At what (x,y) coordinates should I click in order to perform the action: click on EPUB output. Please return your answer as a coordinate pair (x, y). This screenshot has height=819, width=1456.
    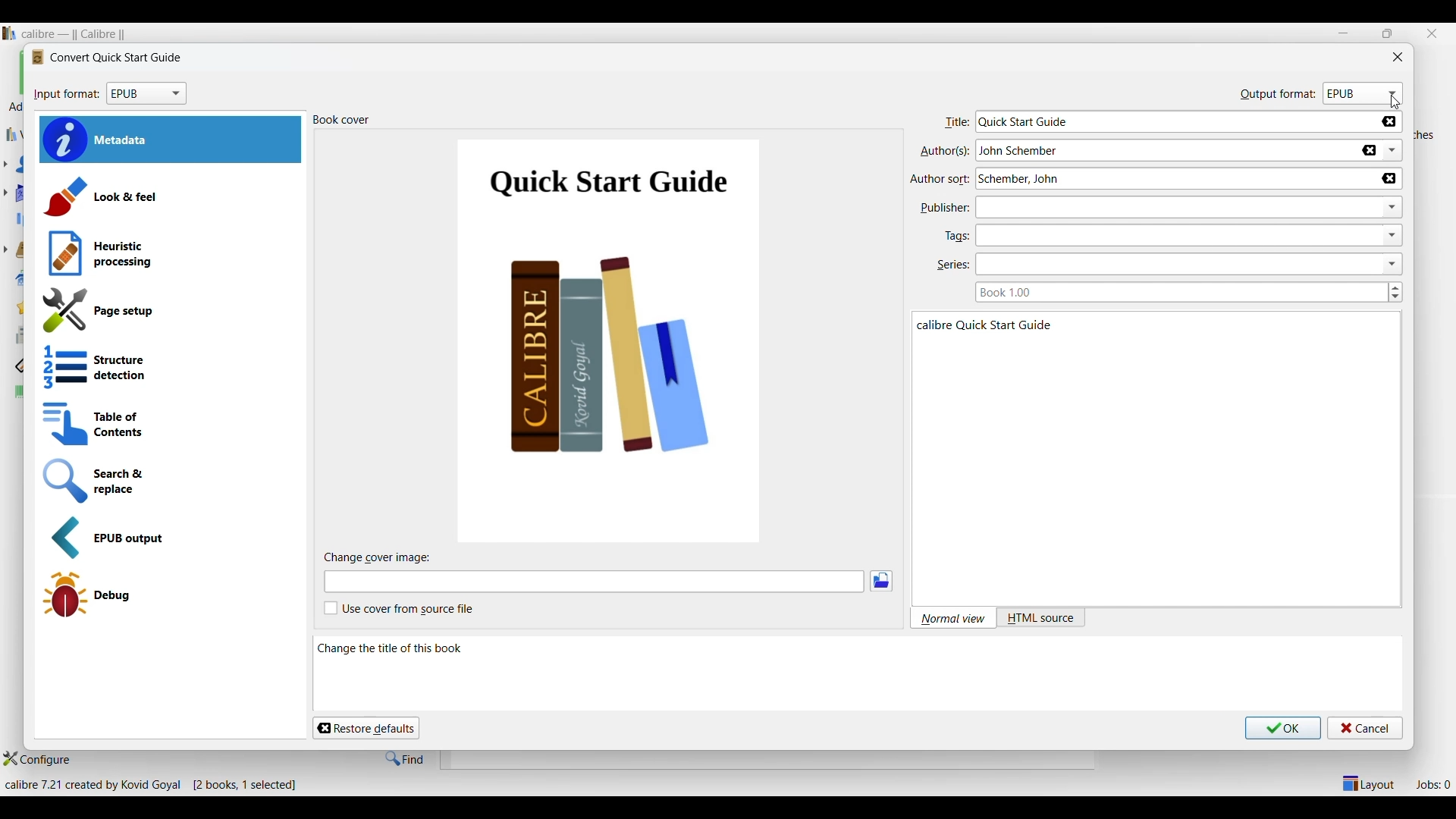
    Looking at the image, I should click on (171, 538).